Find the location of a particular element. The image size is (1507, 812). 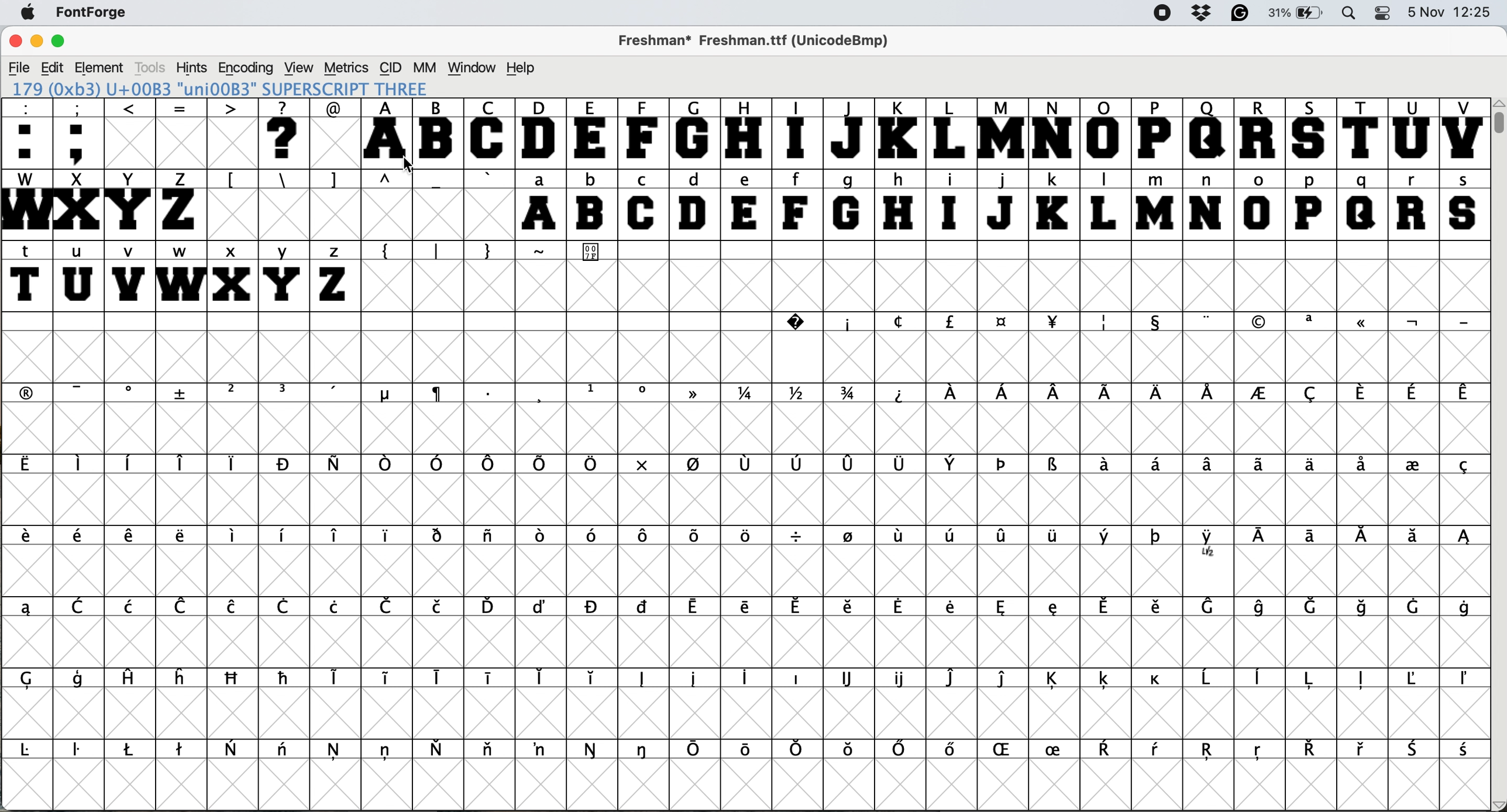

symbol is located at coordinates (746, 394).